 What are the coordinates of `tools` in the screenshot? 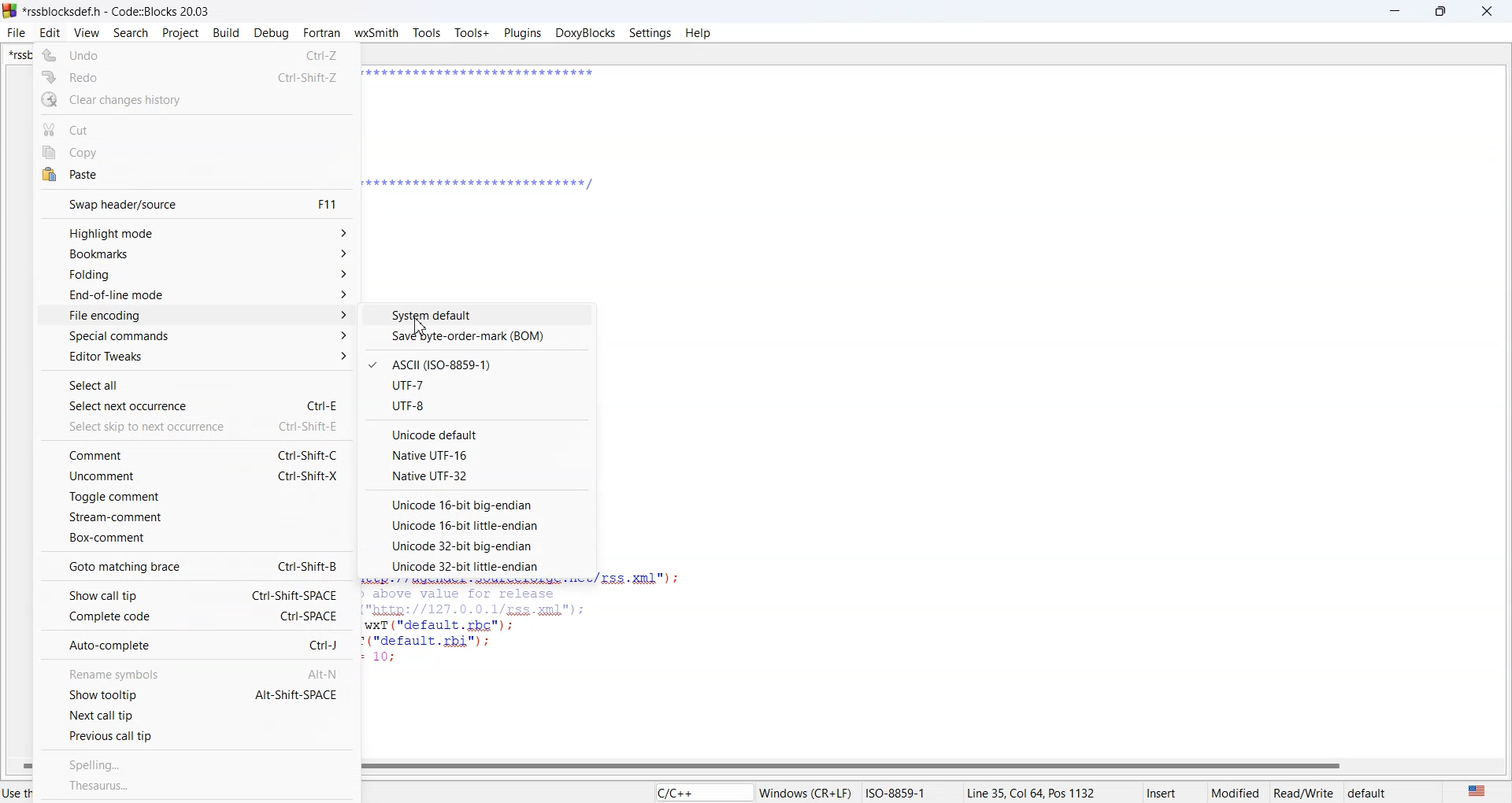 It's located at (427, 35).